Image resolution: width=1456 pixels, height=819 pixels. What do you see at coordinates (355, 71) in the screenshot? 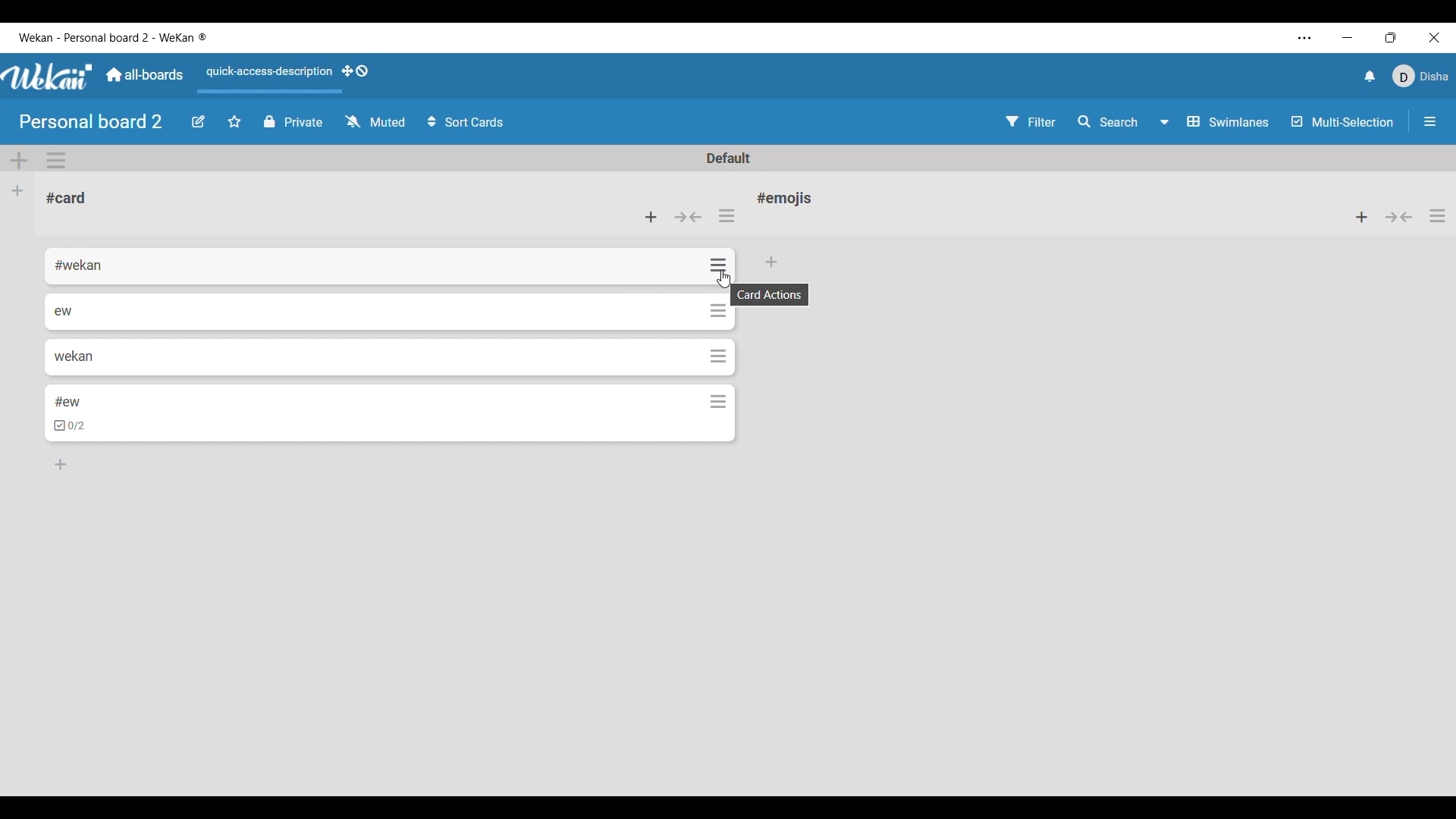
I see `Show desktop drag handles` at bounding box center [355, 71].